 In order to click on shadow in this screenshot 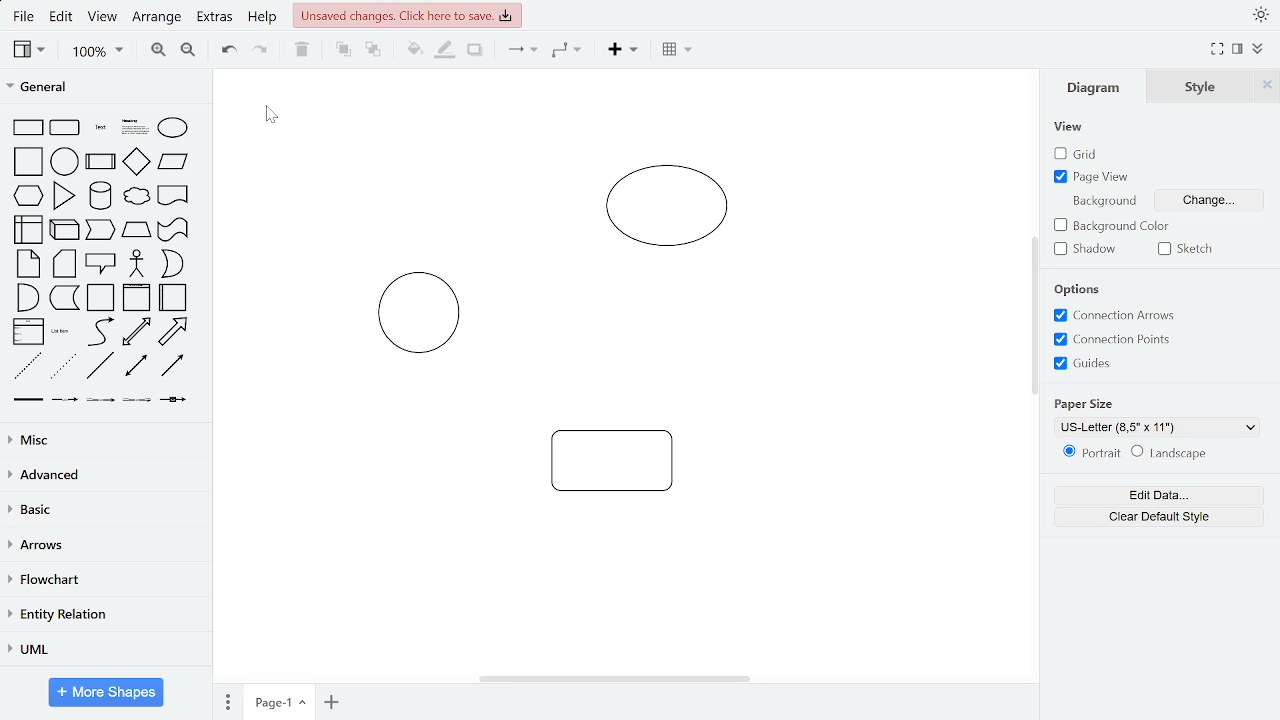, I will do `click(1088, 250)`.